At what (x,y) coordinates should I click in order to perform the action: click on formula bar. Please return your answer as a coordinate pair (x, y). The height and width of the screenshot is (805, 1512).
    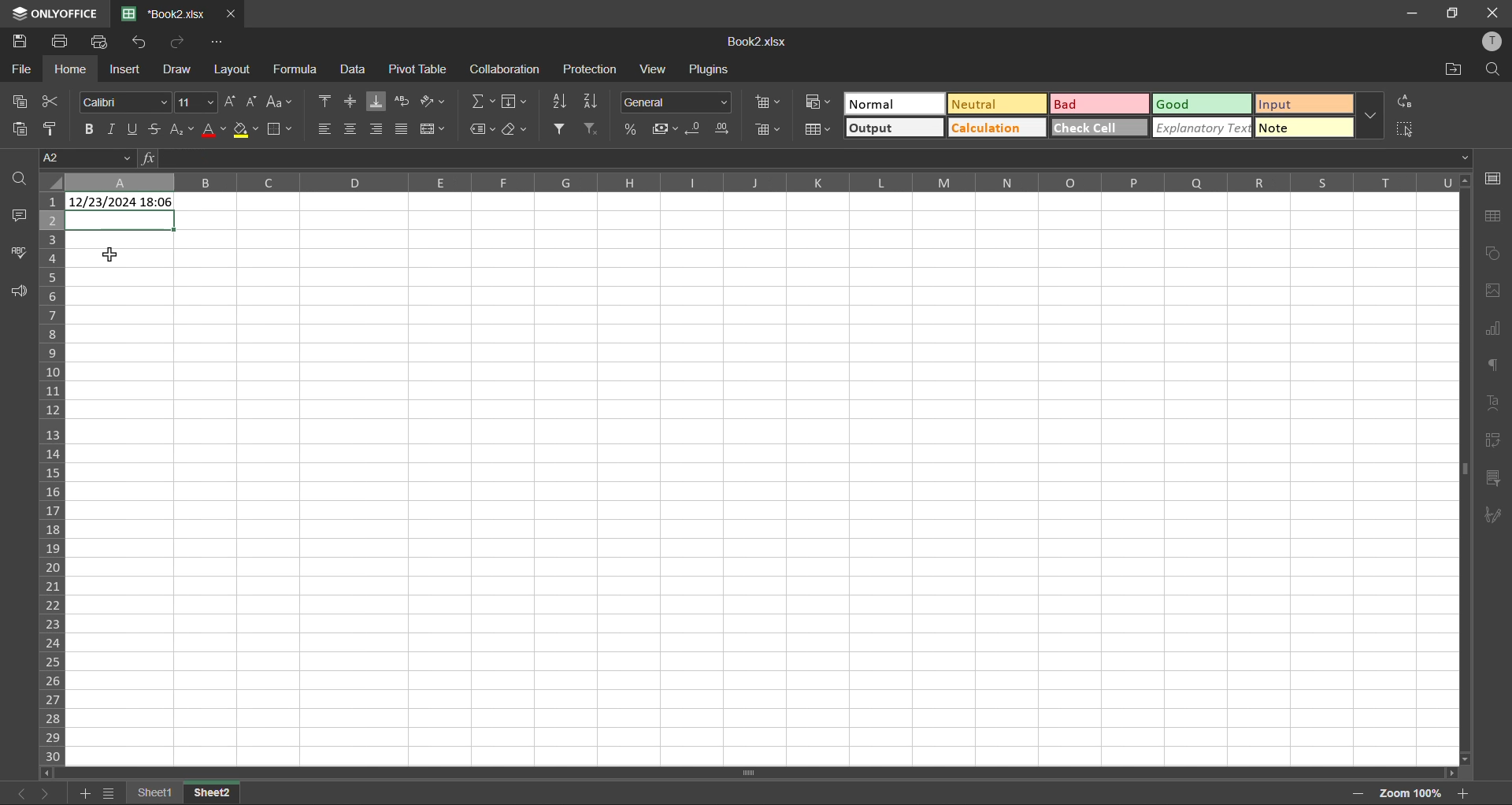
    Looking at the image, I should click on (806, 158).